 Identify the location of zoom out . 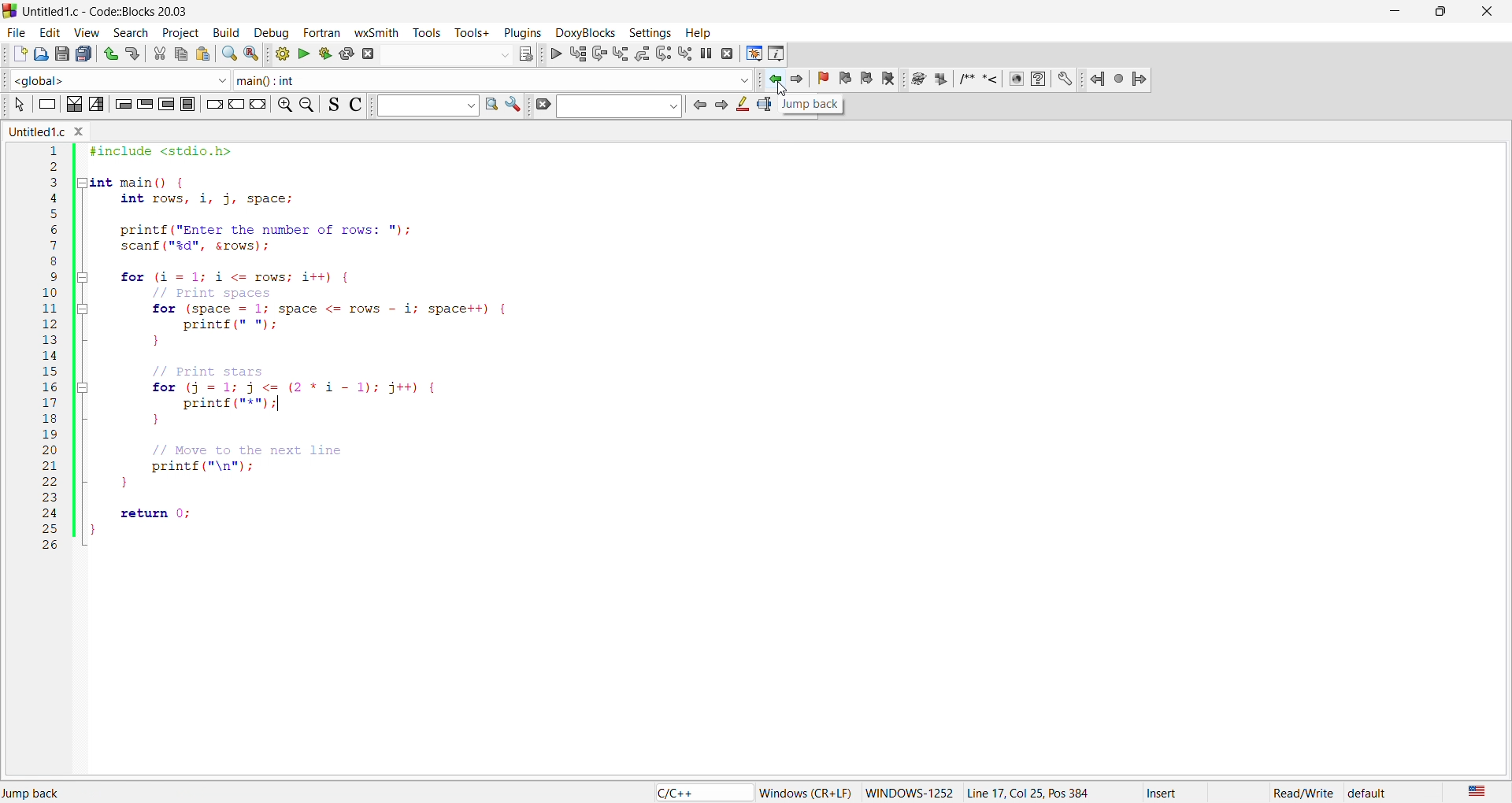
(309, 105).